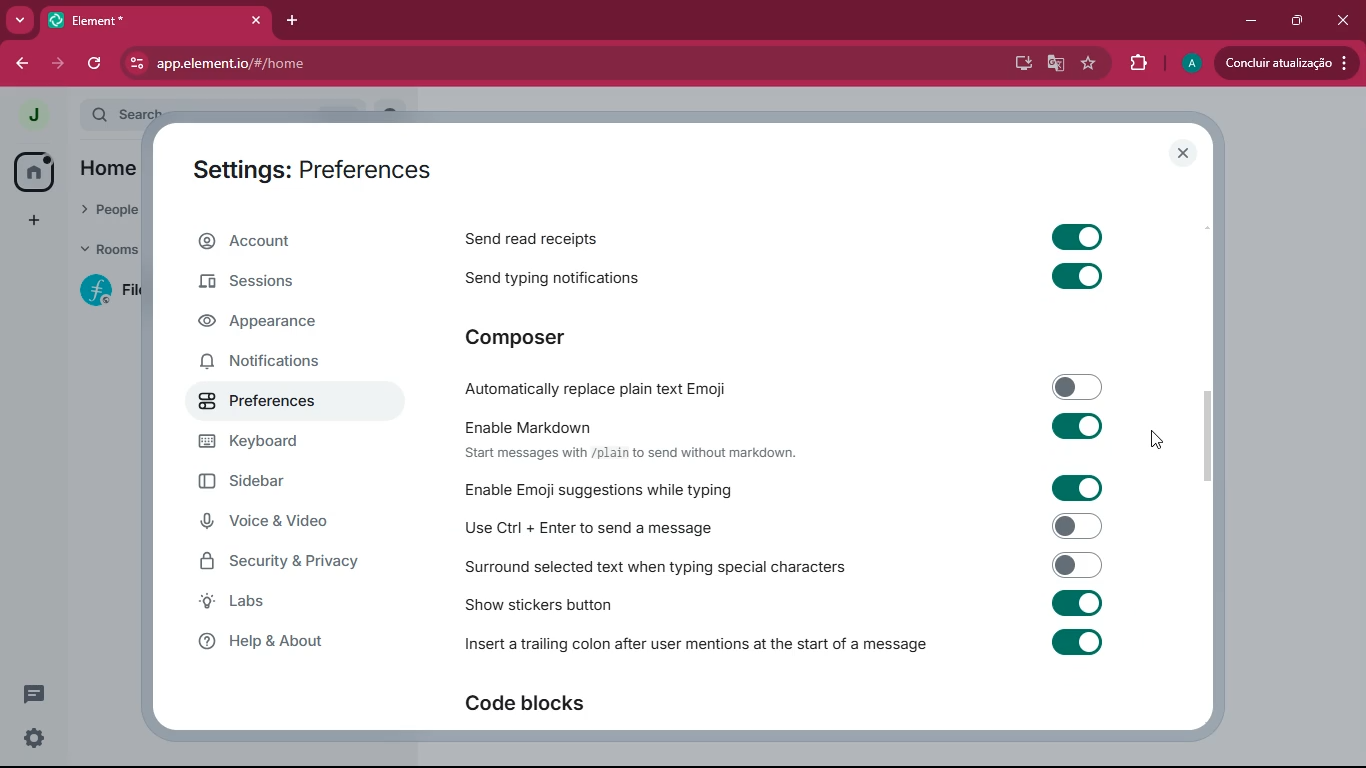 Image resolution: width=1366 pixels, height=768 pixels. Describe the element at coordinates (283, 284) in the screenshot. I see `sessions` at that location.